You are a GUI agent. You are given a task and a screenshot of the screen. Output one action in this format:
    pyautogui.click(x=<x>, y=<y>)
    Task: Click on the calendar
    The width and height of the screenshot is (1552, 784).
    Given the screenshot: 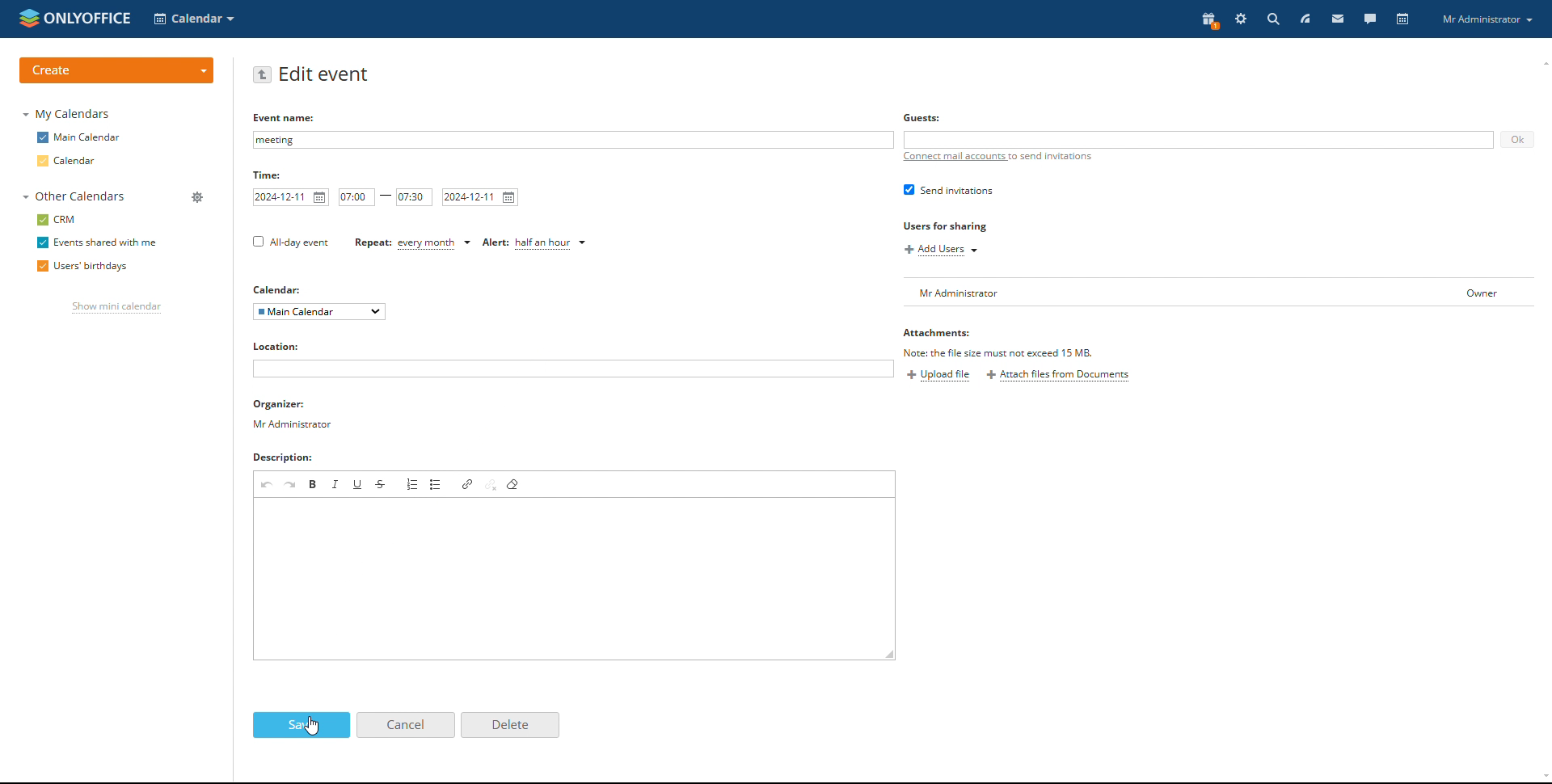 What is the action you would take?
    pyautogui.click(x=82, y=162)
    